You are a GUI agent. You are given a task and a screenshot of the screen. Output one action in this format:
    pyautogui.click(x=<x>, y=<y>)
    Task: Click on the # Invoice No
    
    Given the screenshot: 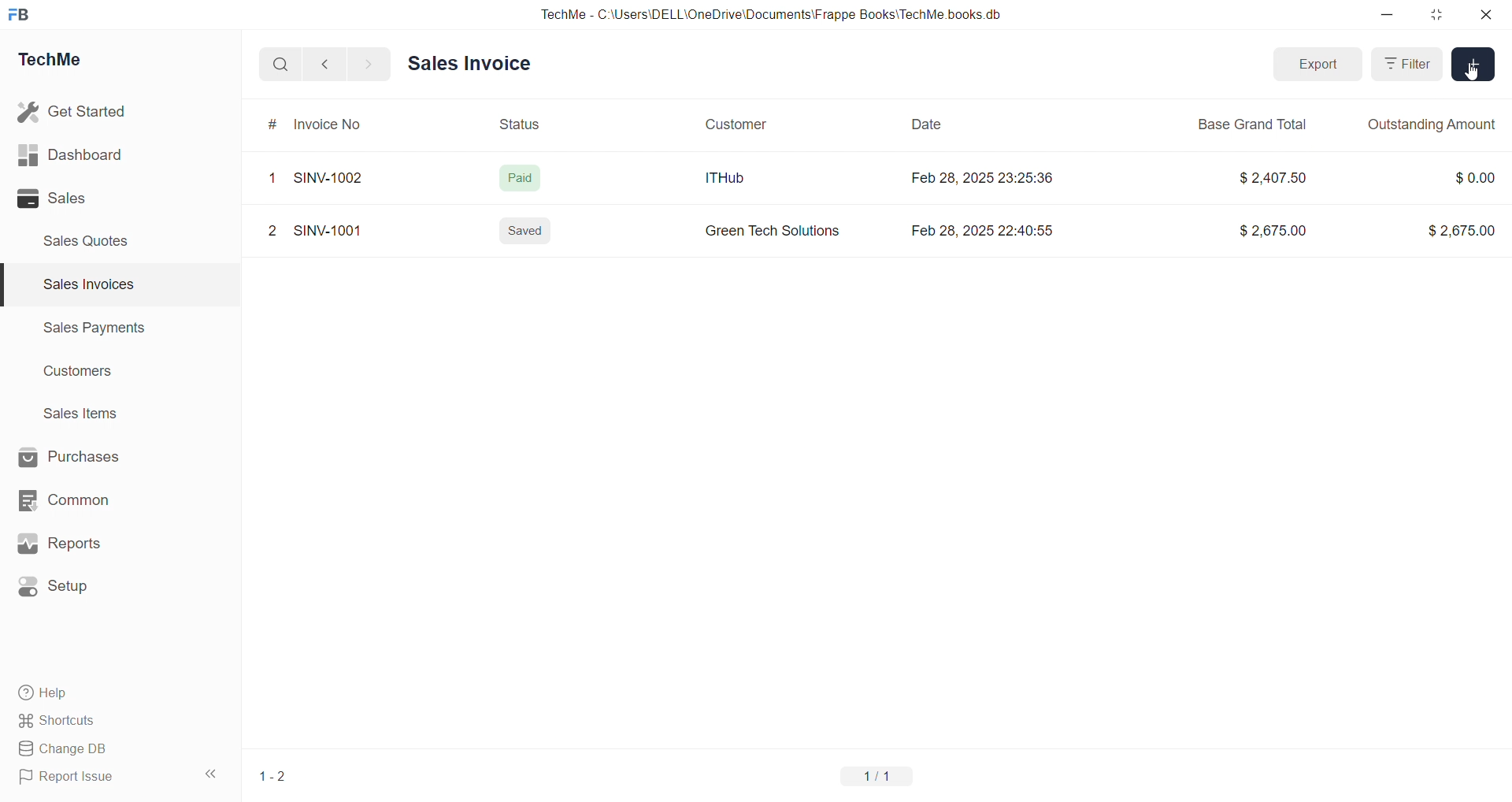 What is the action you would take?
    pyautogui.click(x=323, y=124)
    